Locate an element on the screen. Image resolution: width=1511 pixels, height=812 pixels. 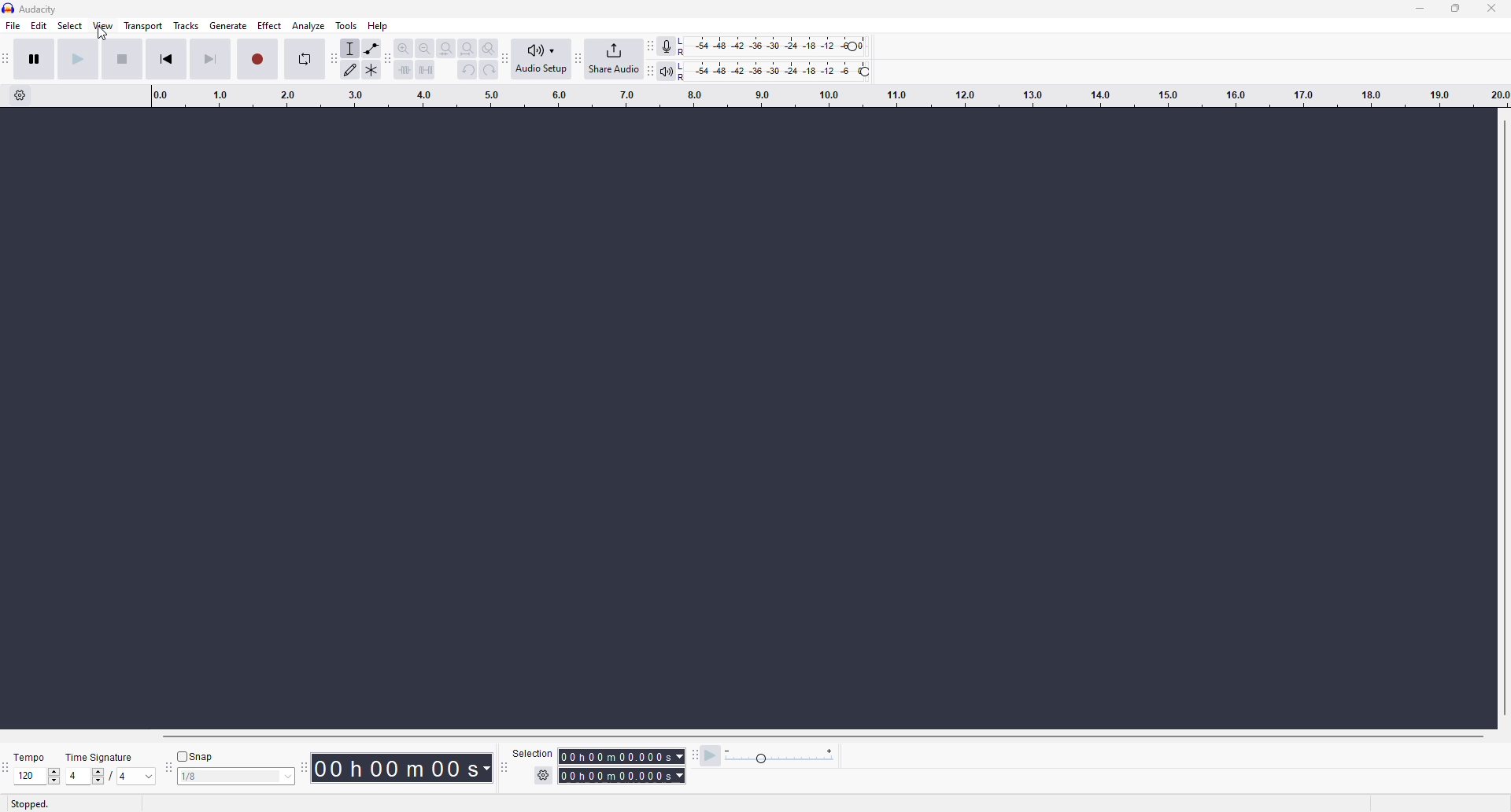
multi tool is located at coordinates (373, 69).